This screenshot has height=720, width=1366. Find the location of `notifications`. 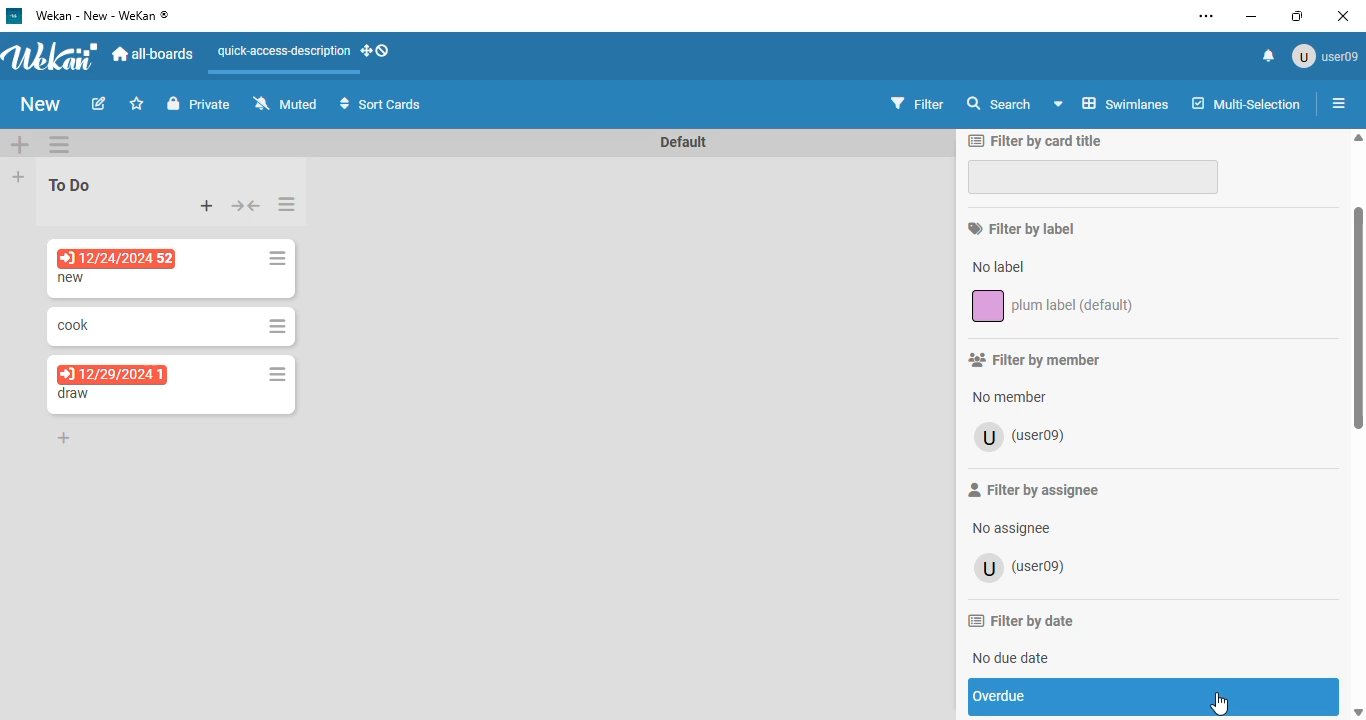

notifications is located at coordinates (1269, 56).